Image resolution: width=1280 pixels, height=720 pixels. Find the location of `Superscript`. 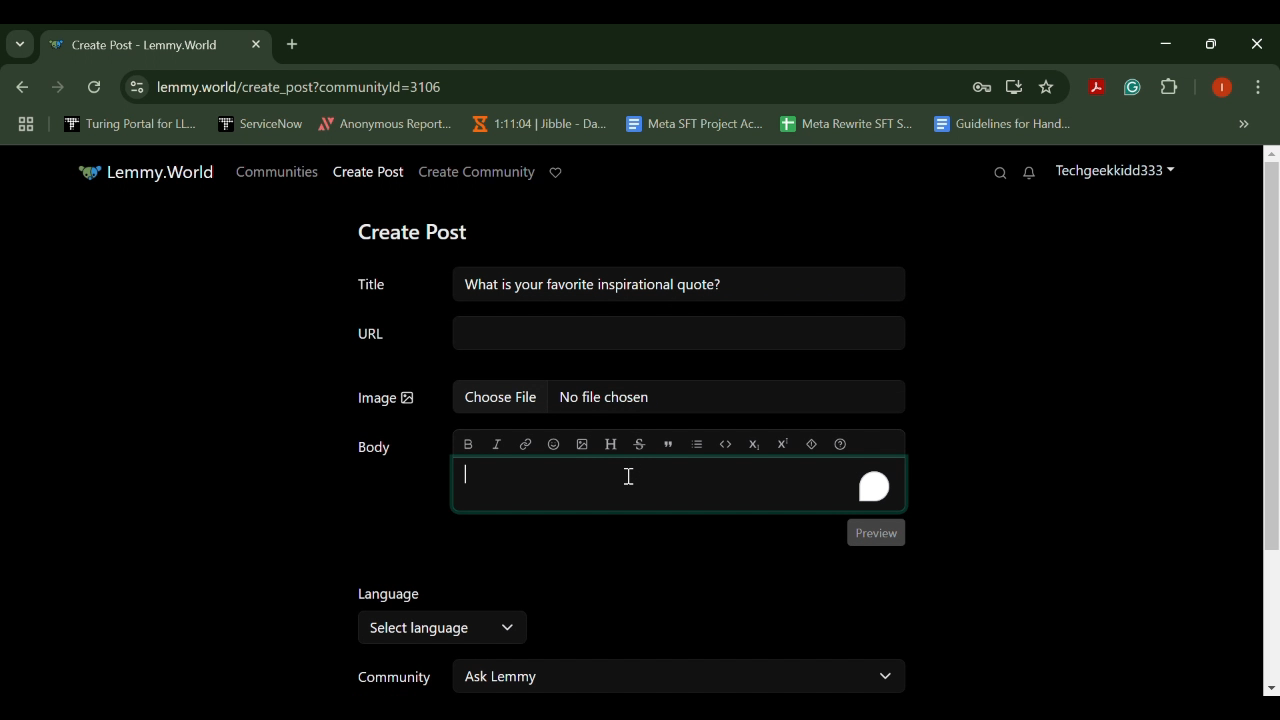

Superscript is located at coordinates (782, 443).